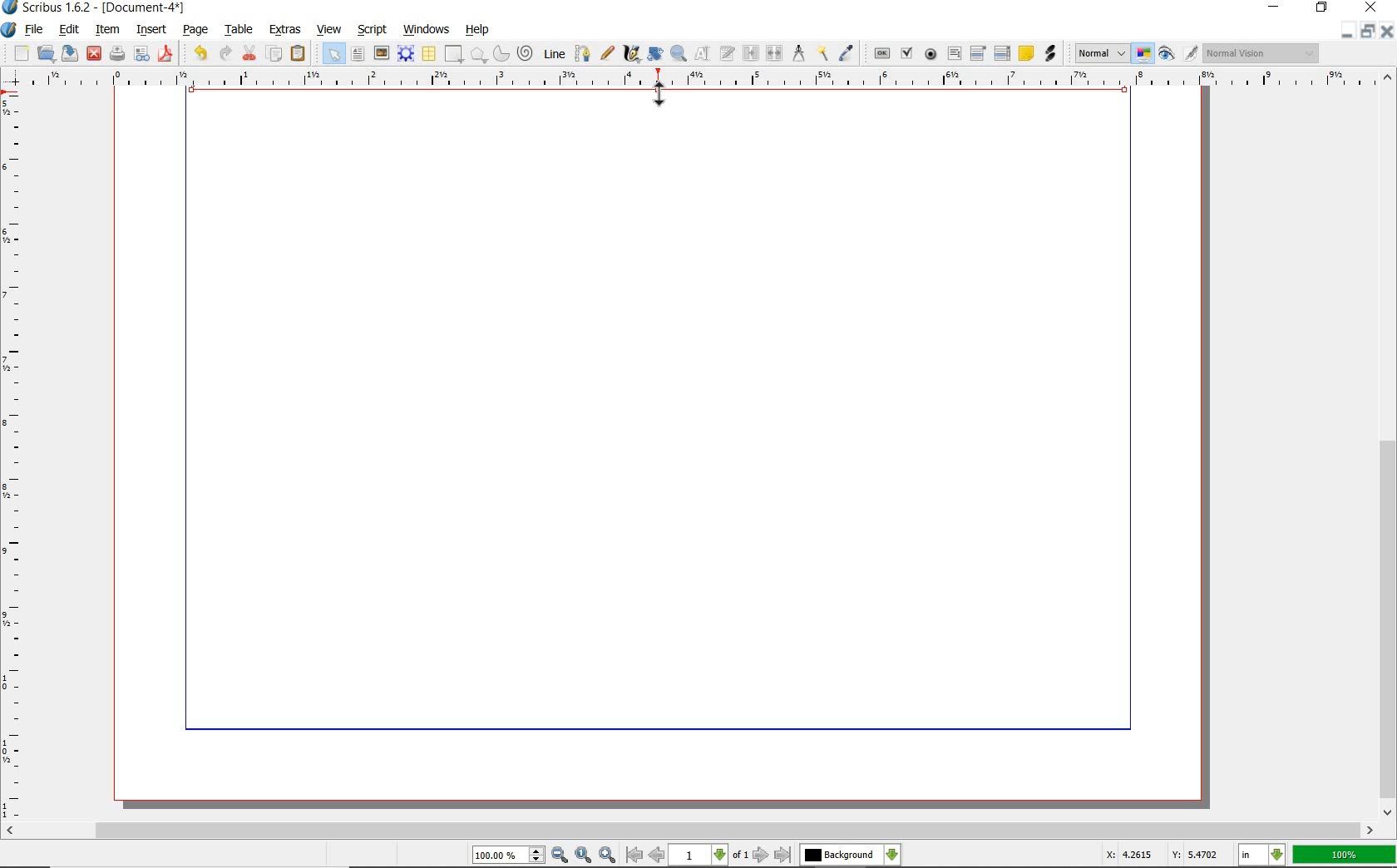 Image resolution: width=1397 pixels, height=868 pixels. What do you see at coordinates (166, 53) in the screenshot?
I see `save as pdf` at bounding box center [166, 53].